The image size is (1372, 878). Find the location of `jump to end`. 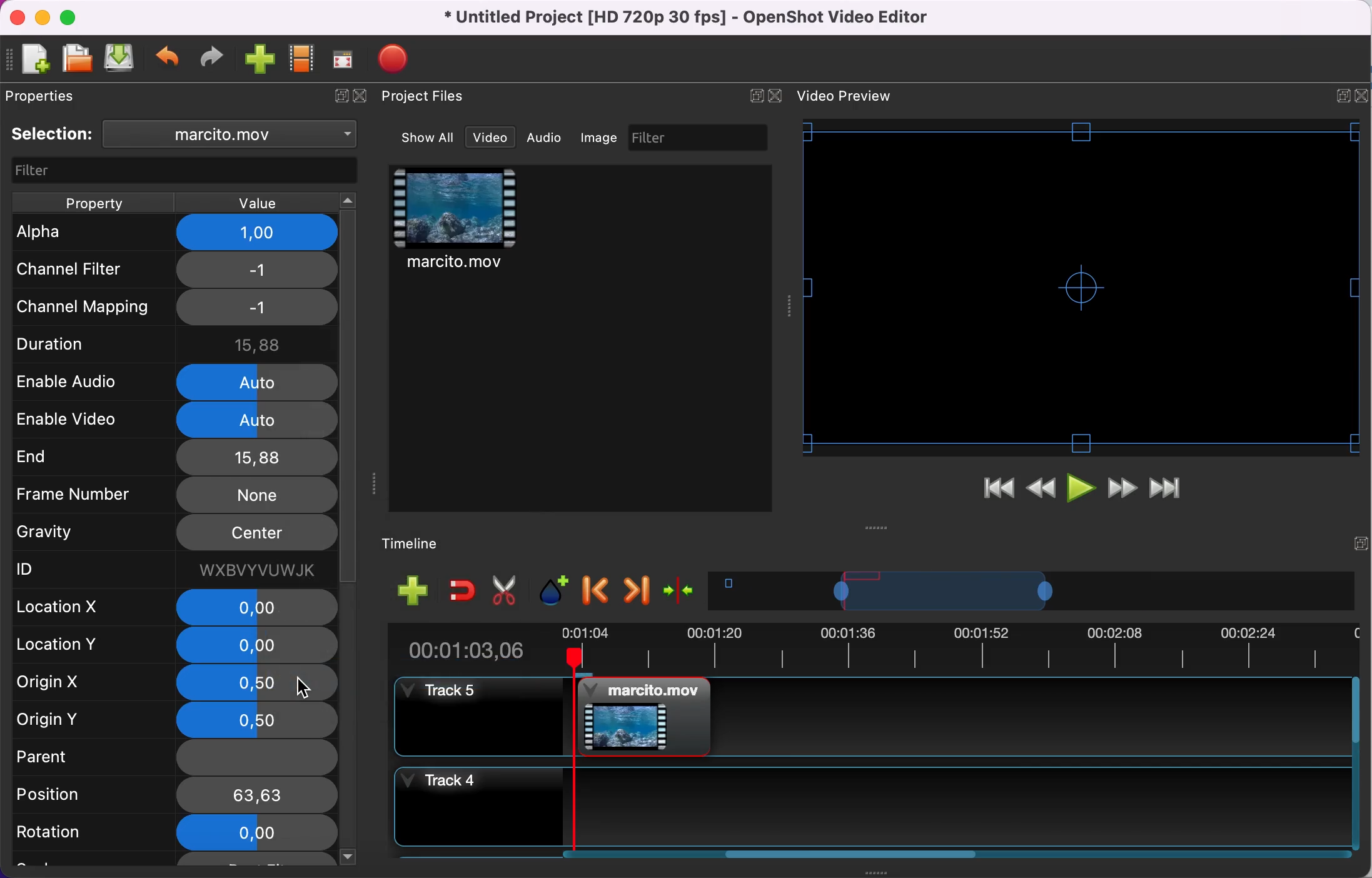

jump to end is located at coordinates (1166, 490).